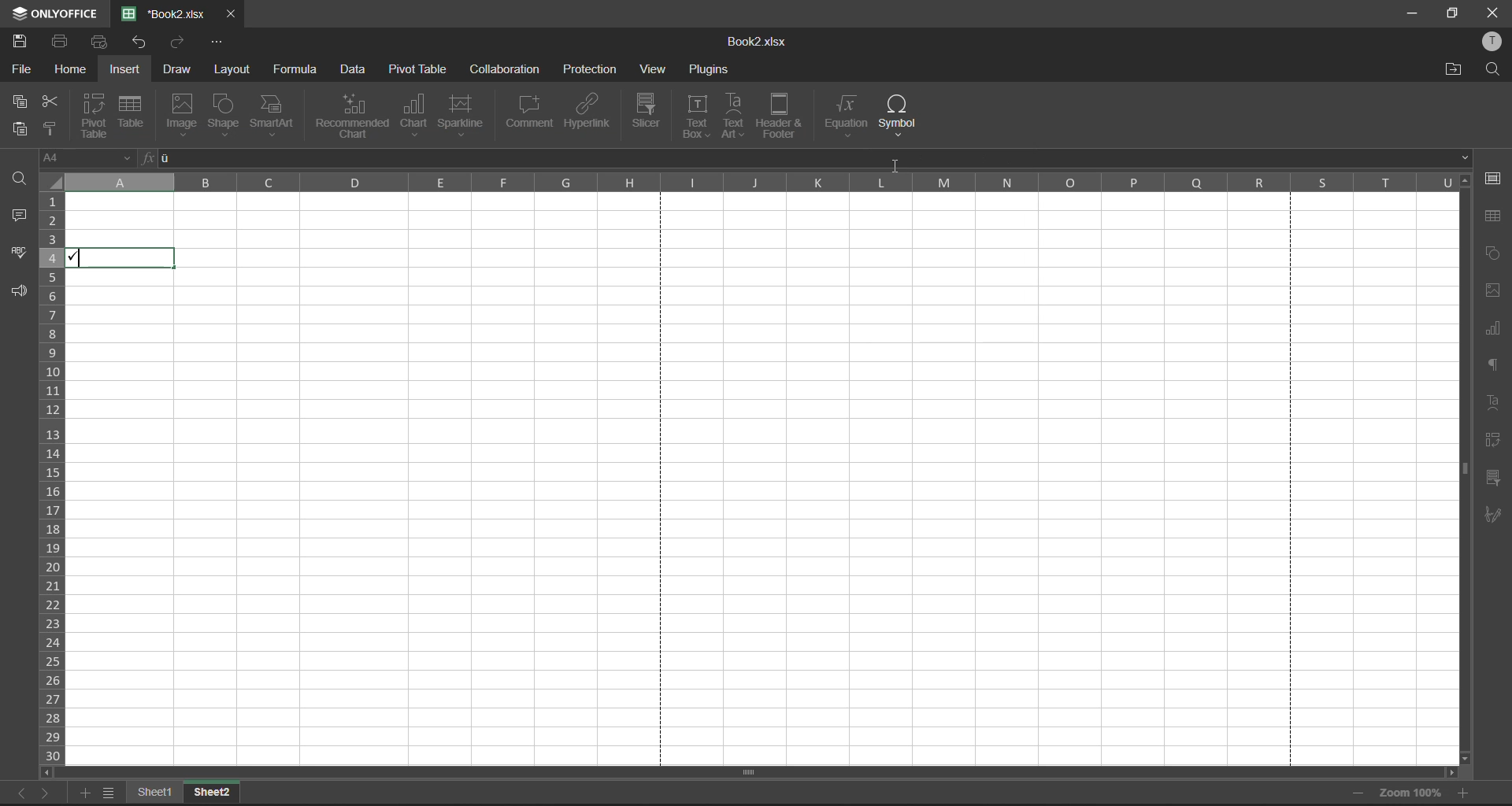 This screenshot has width=1512, height=806. I want to click on insert, so click(127, 70).